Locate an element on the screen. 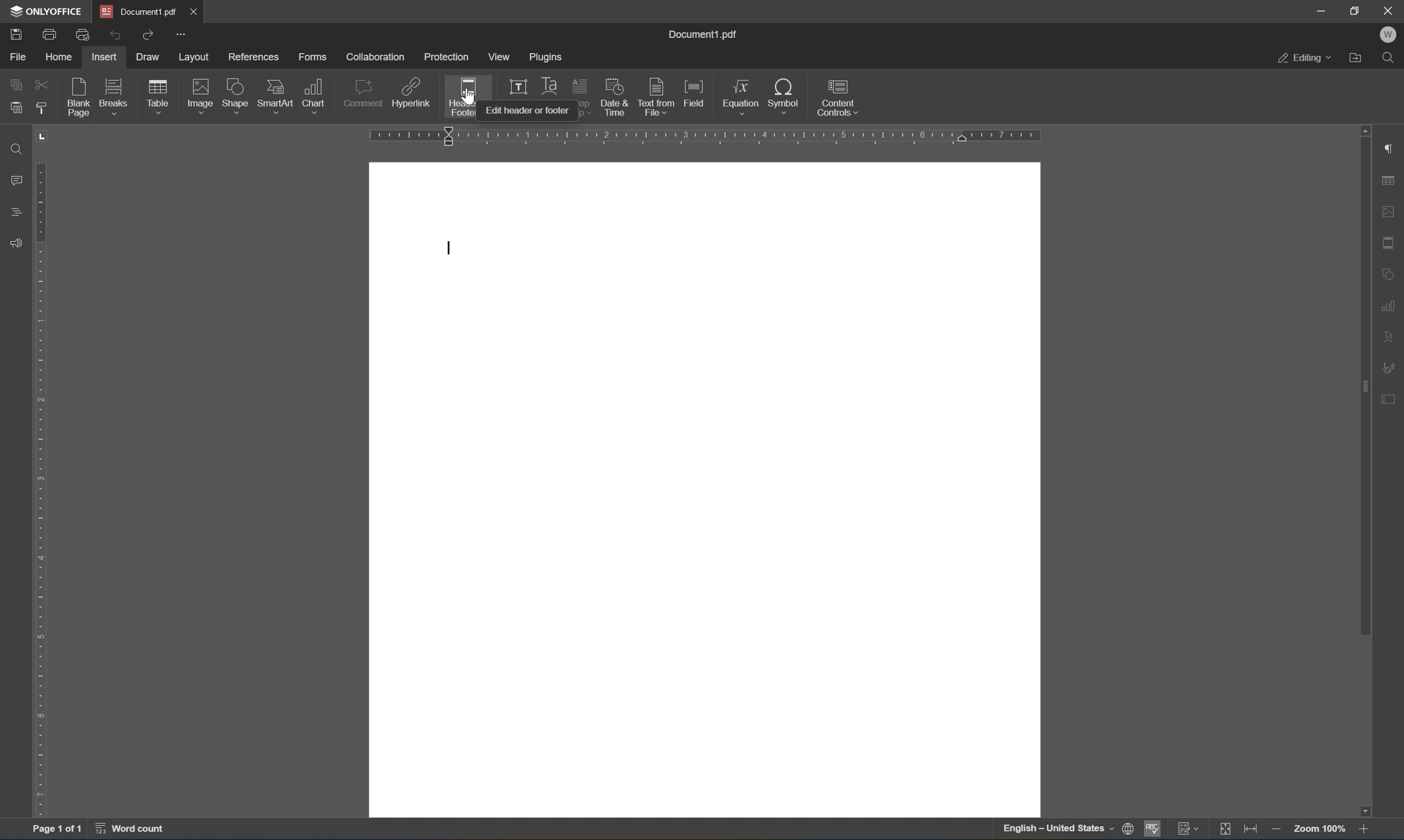 This screenshot has height=840, width=1404. quick print is located at coordinates (83, 36).